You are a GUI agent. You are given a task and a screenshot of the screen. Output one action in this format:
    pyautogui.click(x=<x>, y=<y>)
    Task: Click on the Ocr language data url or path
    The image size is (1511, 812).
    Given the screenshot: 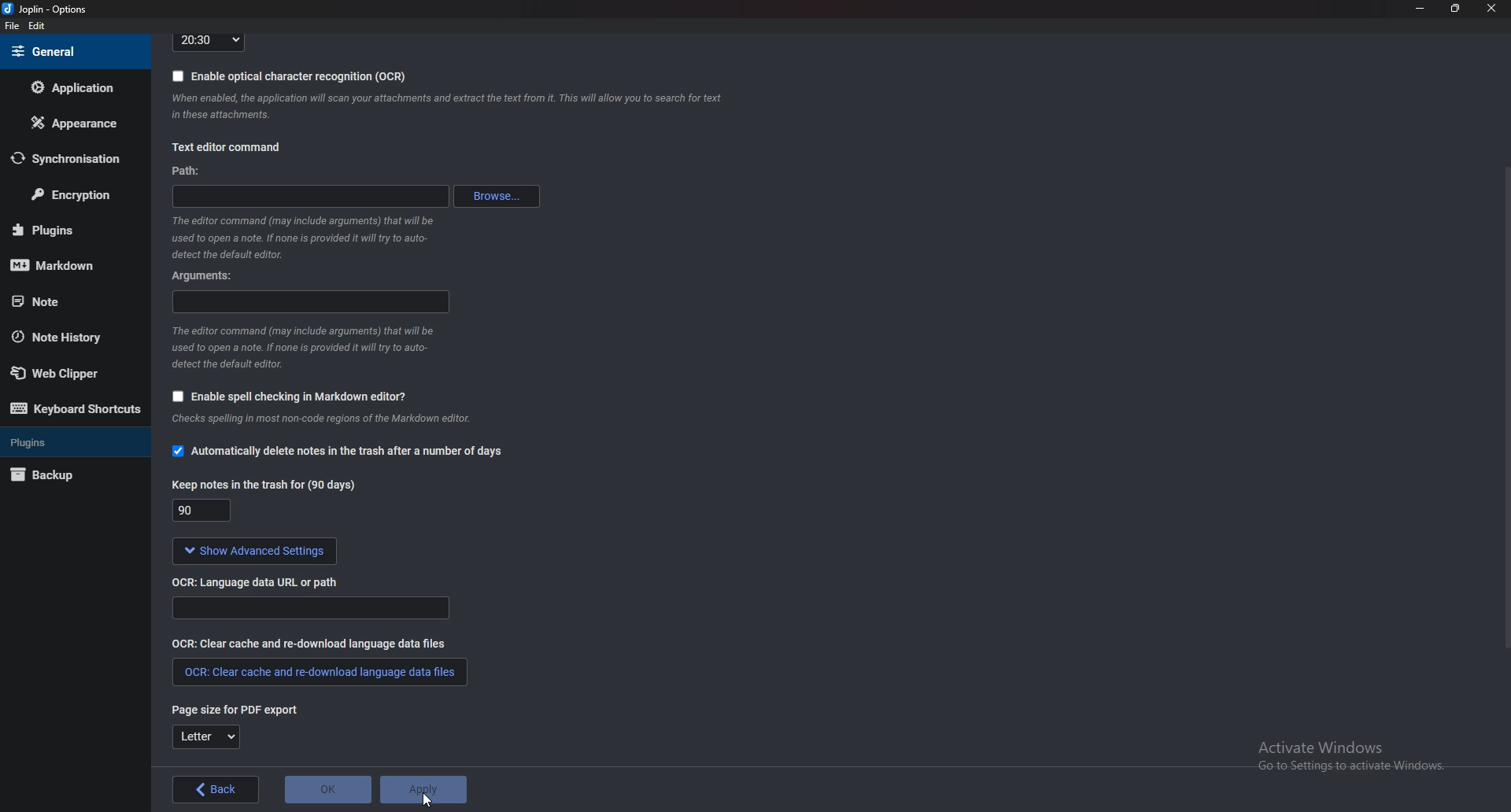 What is the action you would take?
    pyautogui.click(x=310, y=608)
    